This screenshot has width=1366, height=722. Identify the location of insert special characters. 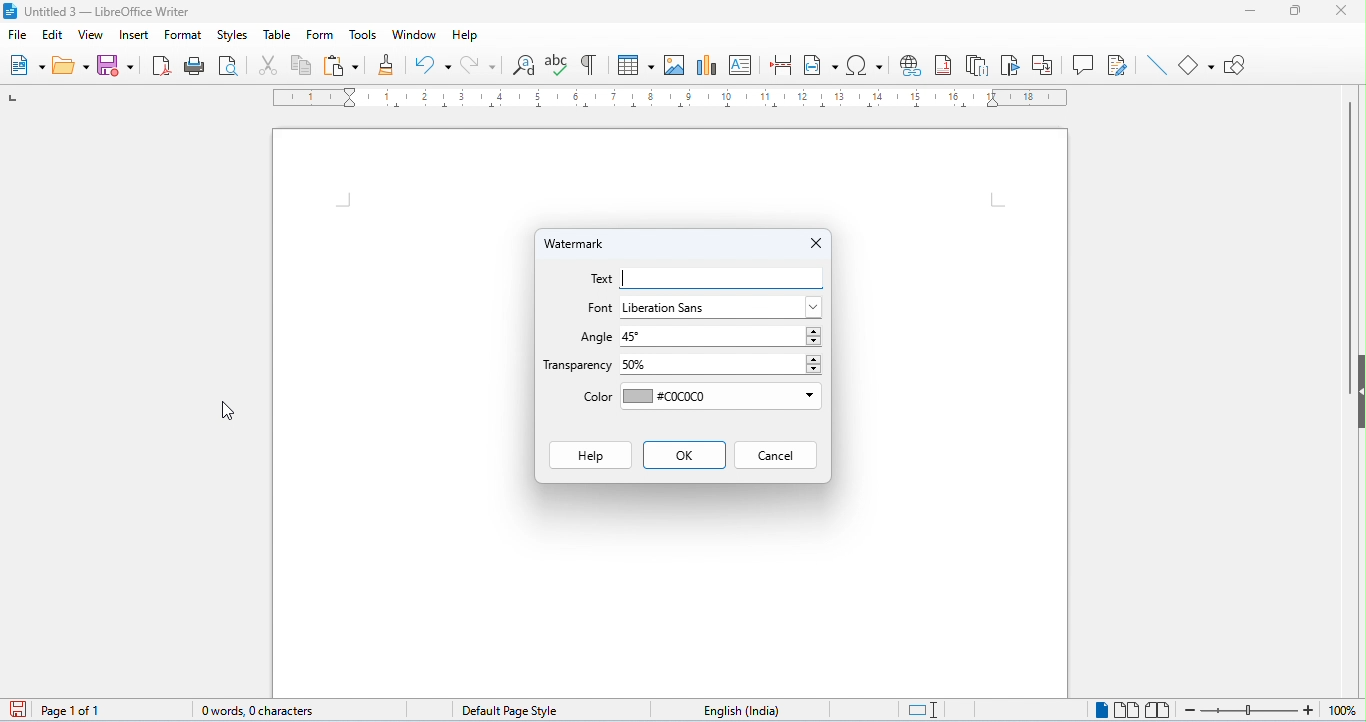
(865, 63).